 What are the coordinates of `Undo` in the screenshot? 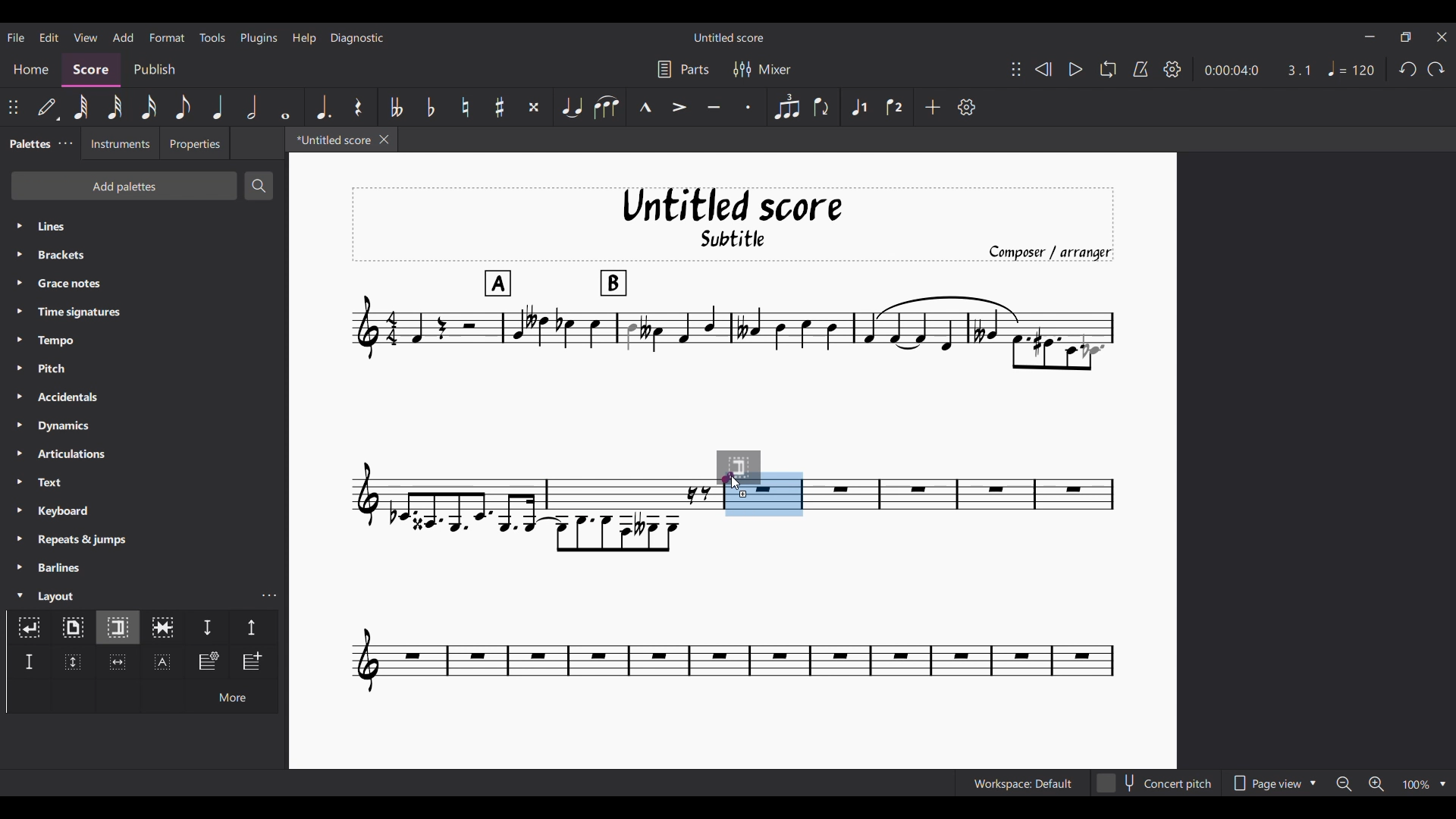 It's located at (1409, 68).